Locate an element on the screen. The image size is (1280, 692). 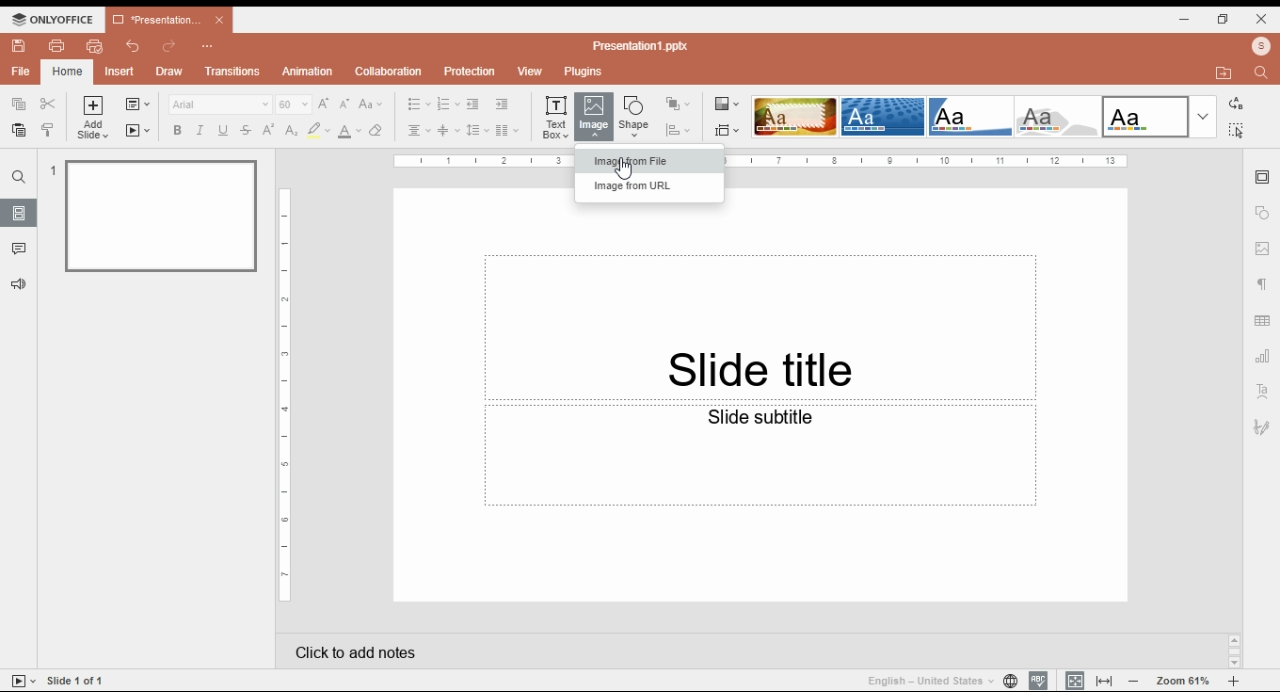
undo is located at coordinates (132, 47).